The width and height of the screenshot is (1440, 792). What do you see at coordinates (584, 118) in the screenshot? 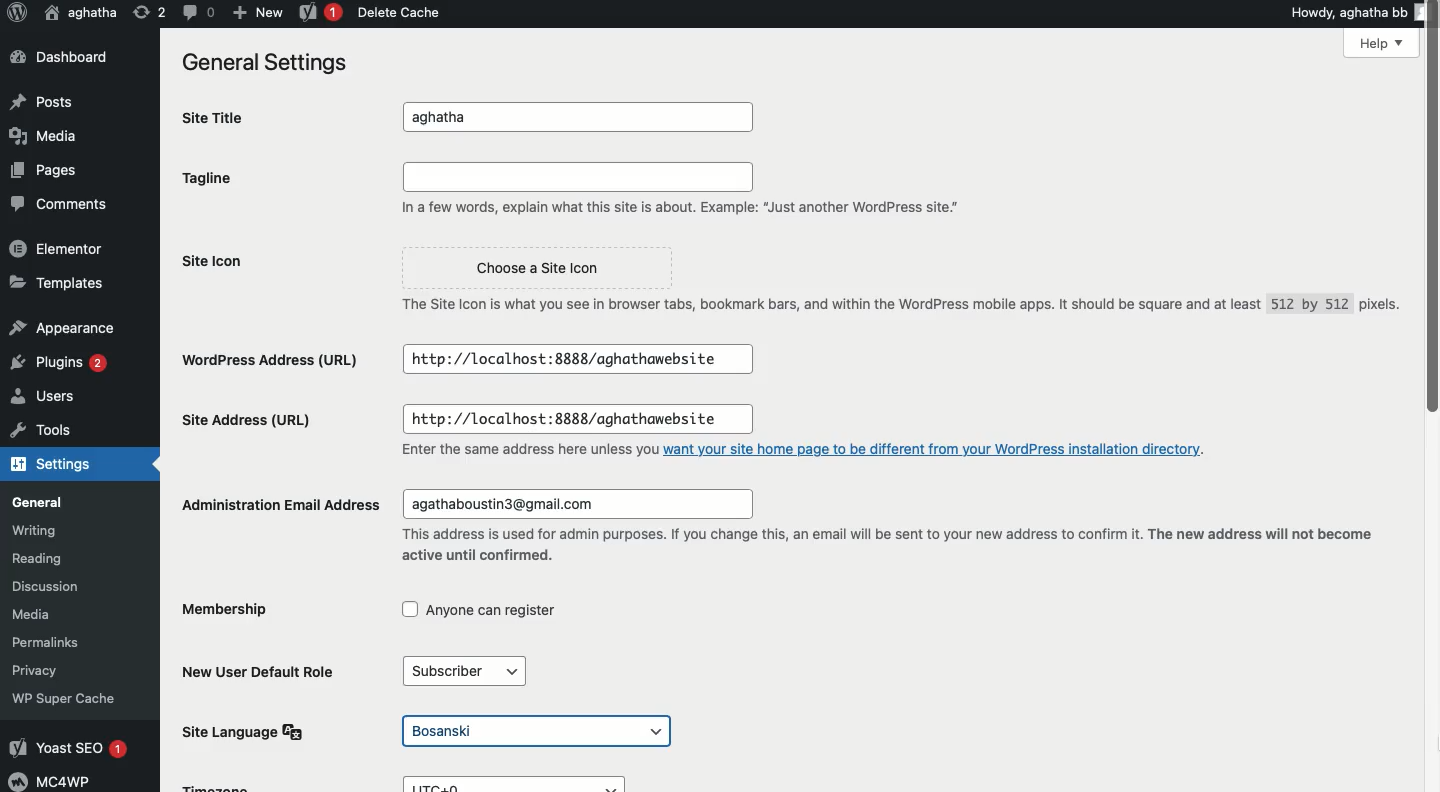
I see `aghatha` at bounding box center [584, 118].